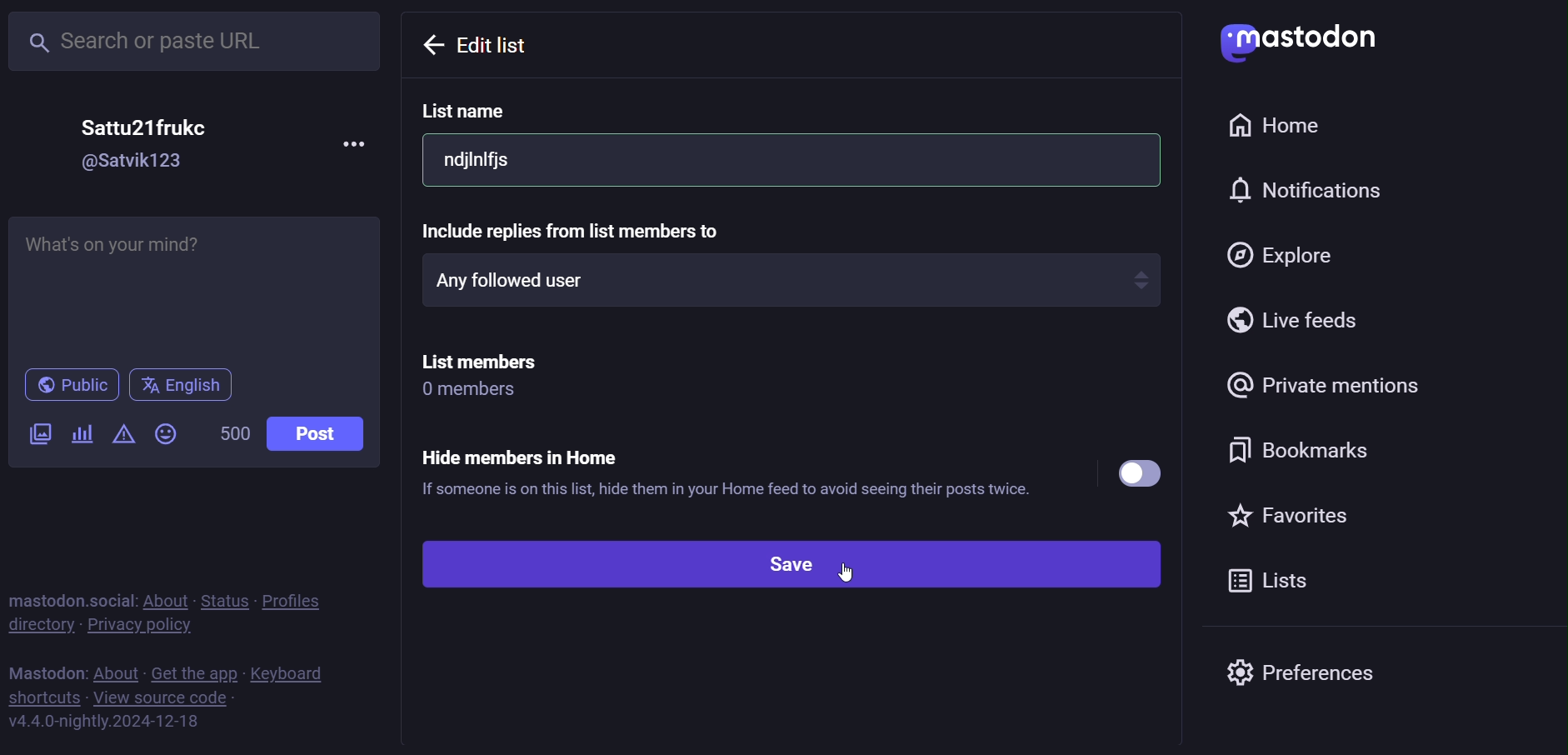  Describe the element at coordinates (795, 281) in the screenshot. I see `any followed user` at that location.